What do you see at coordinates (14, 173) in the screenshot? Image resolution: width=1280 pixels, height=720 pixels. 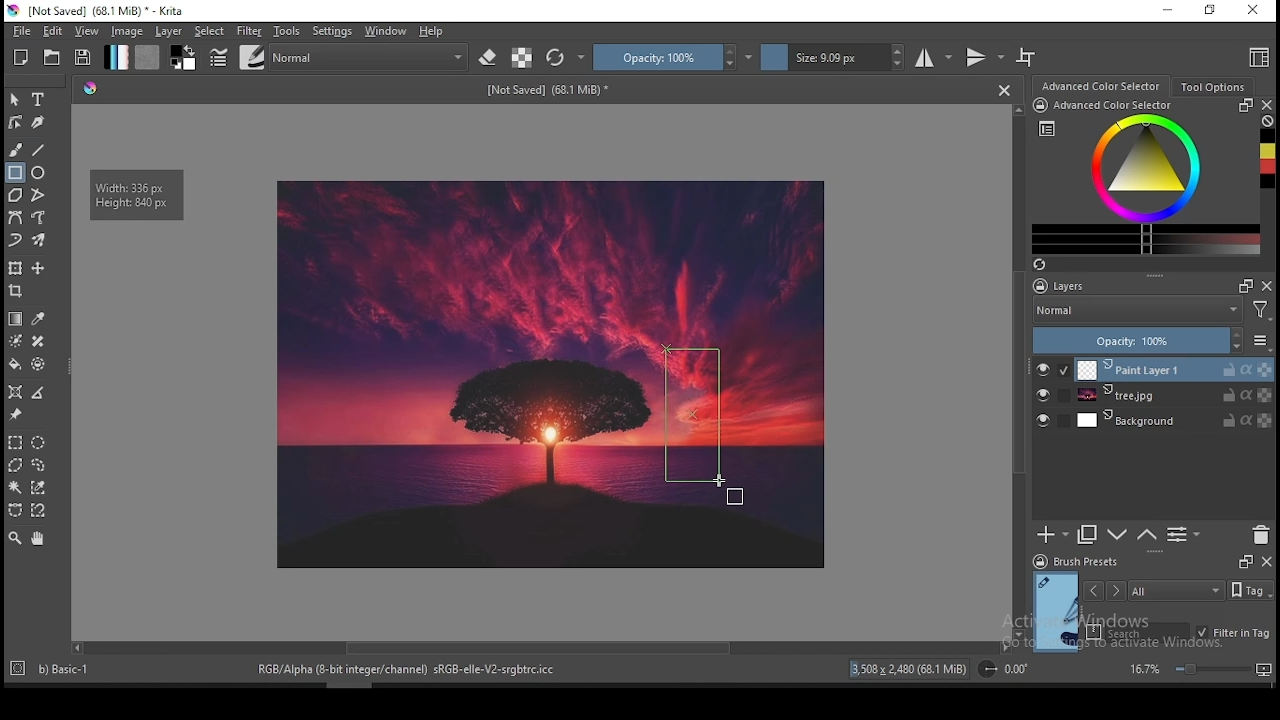 I see `rectangle tool` at bounding box center [14, 173].